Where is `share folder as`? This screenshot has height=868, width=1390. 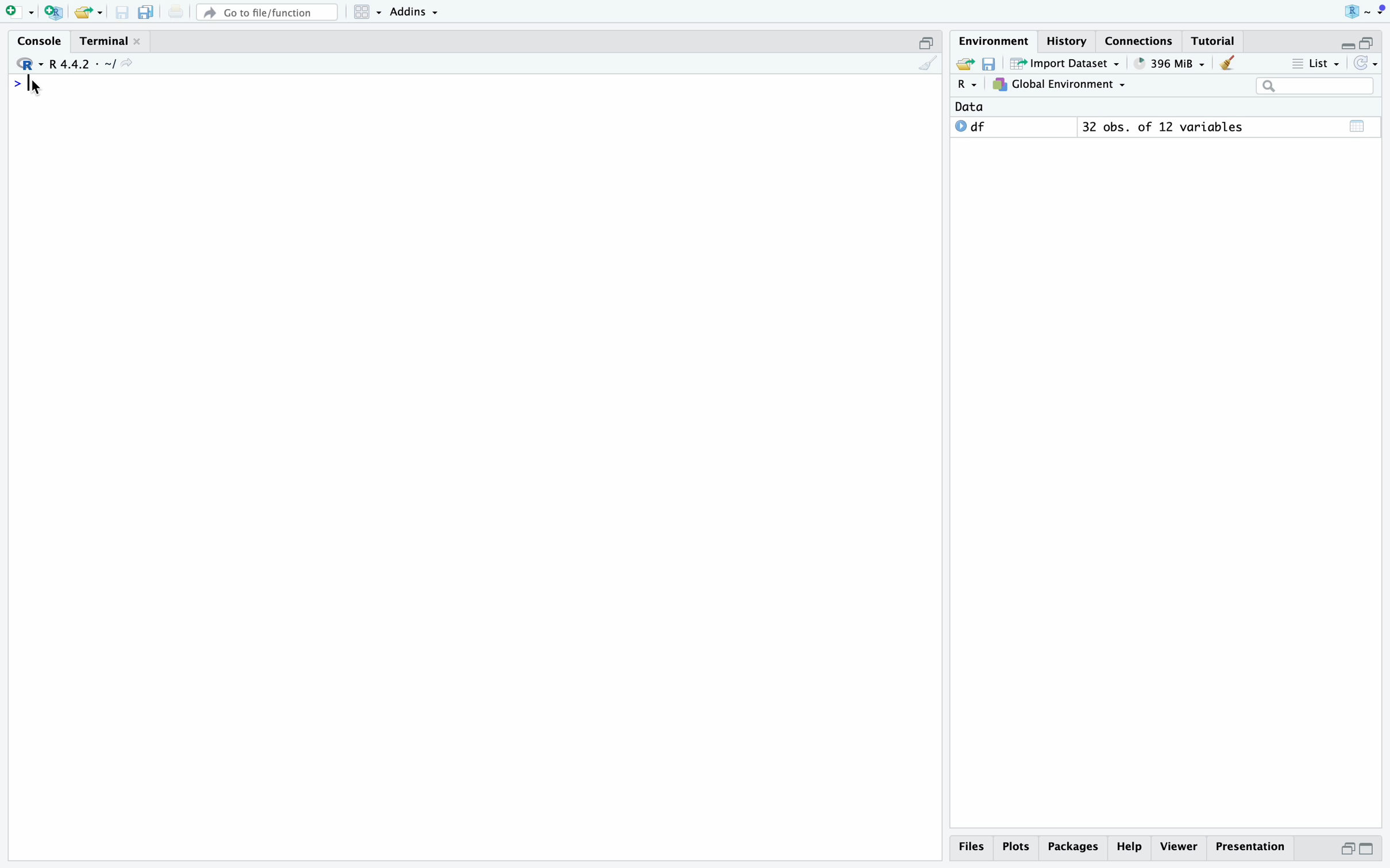 share folder as is located at coordinates (90, 13).